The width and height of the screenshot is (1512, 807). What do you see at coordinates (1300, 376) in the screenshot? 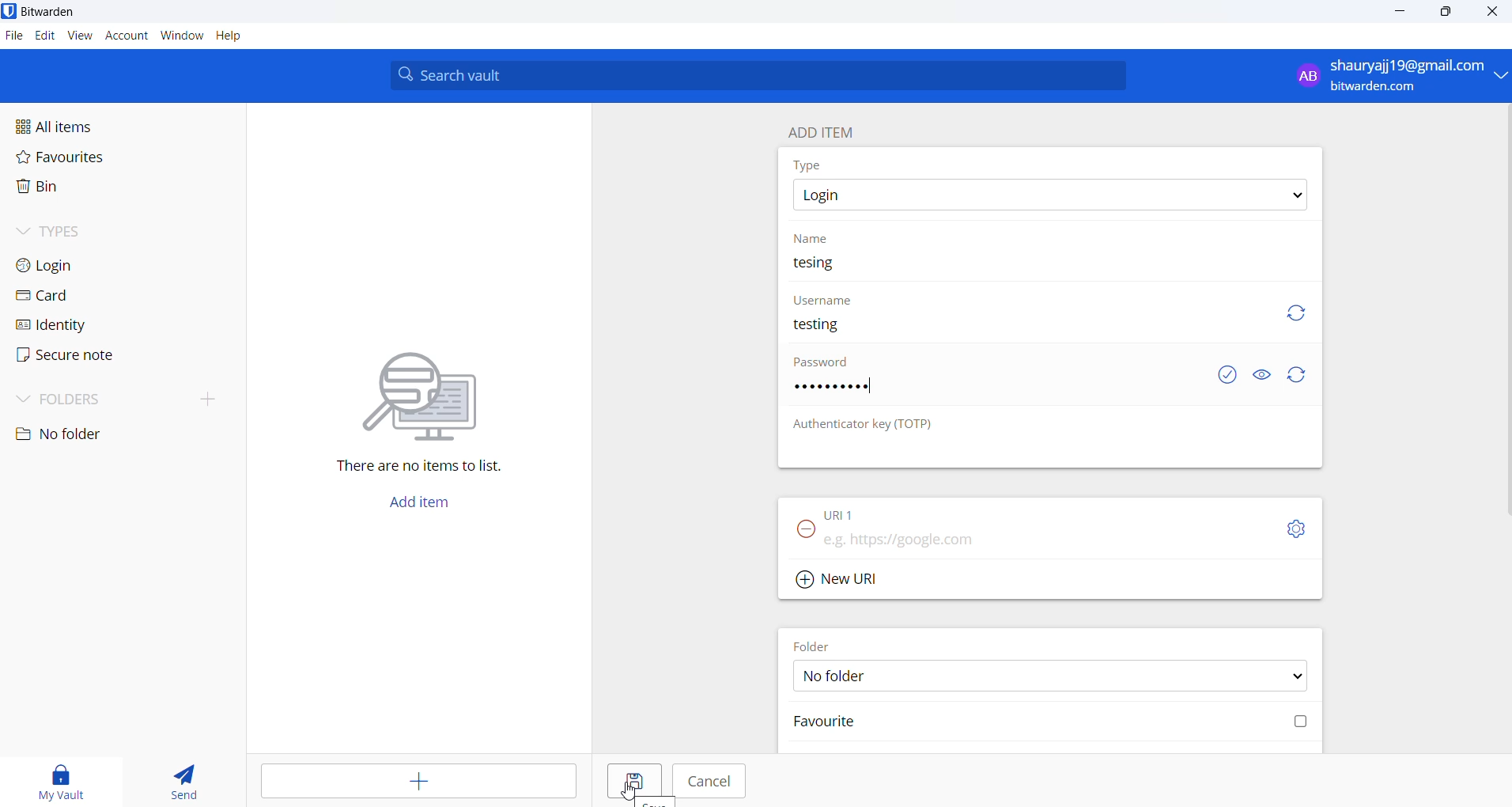
I see `generate password` at bounding box center [1300, 376].